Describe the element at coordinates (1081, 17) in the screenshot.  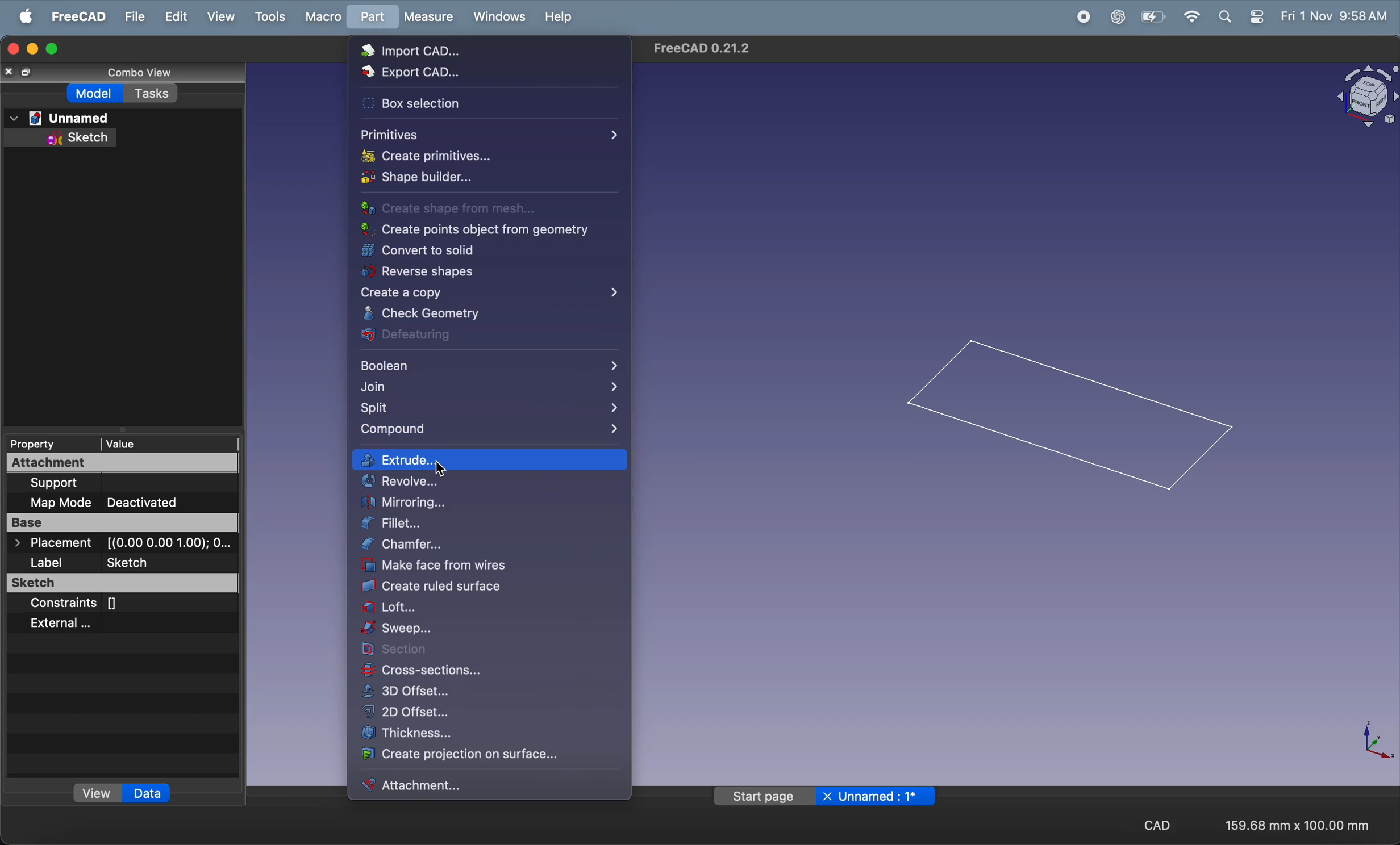
I see `record` at that location.